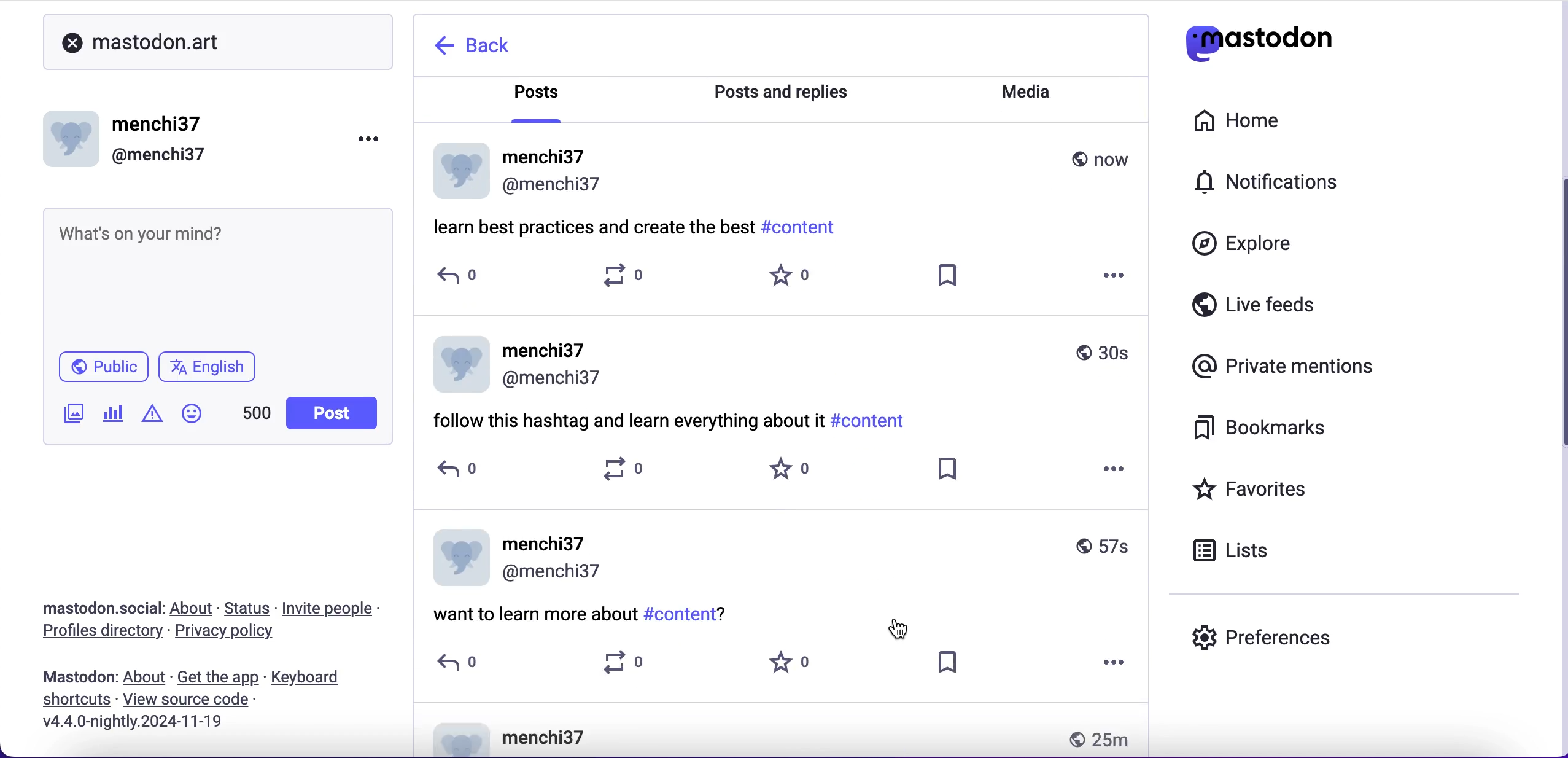 Image resolution: width=1568 pixels, height=758 pixels. What do you see at coordinates (114, 415) in the screenshot?
I see `add poll` at bounding box center [114, 415].